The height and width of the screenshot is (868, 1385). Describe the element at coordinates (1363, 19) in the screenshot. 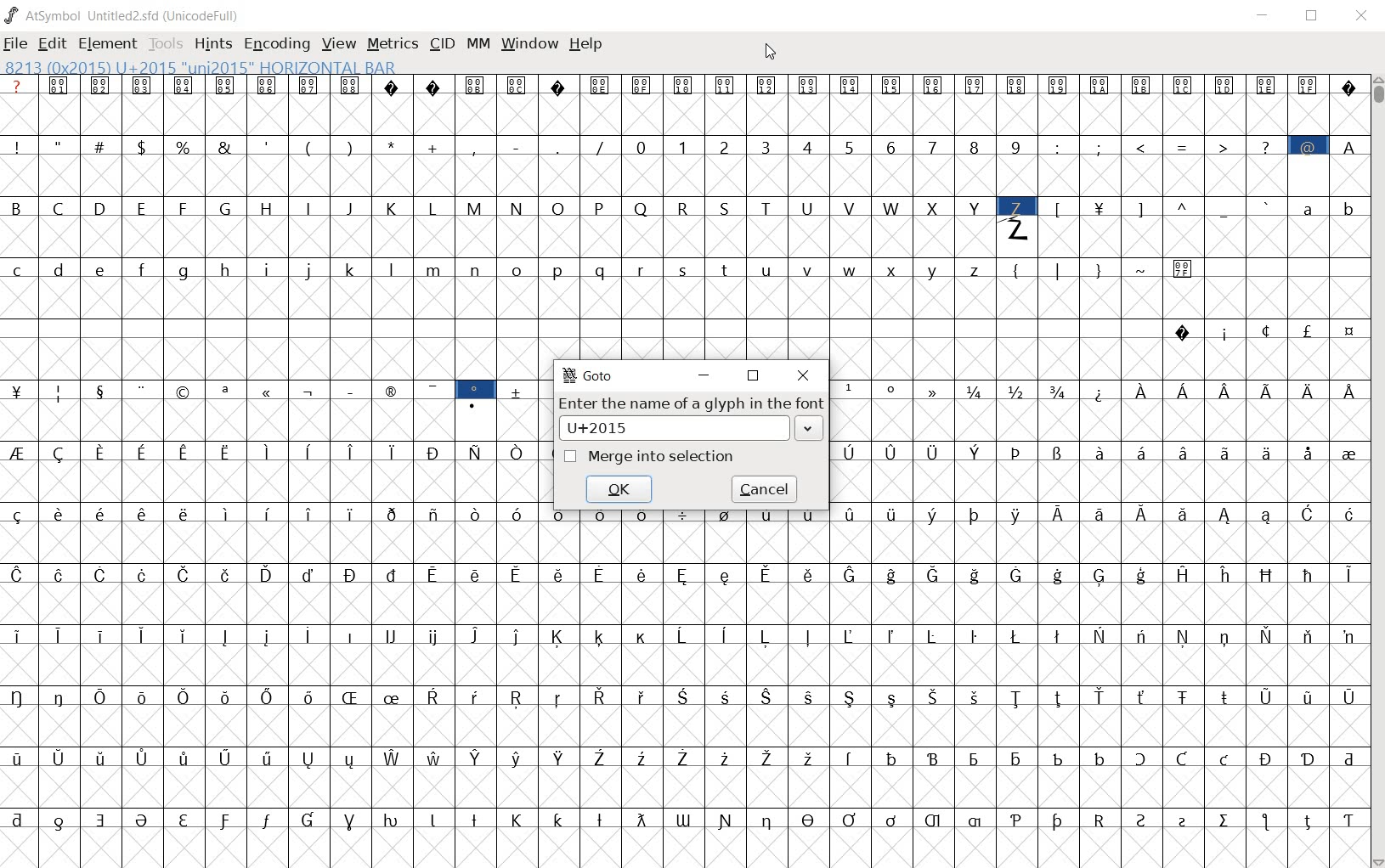

I see `CLOSE` at that location.